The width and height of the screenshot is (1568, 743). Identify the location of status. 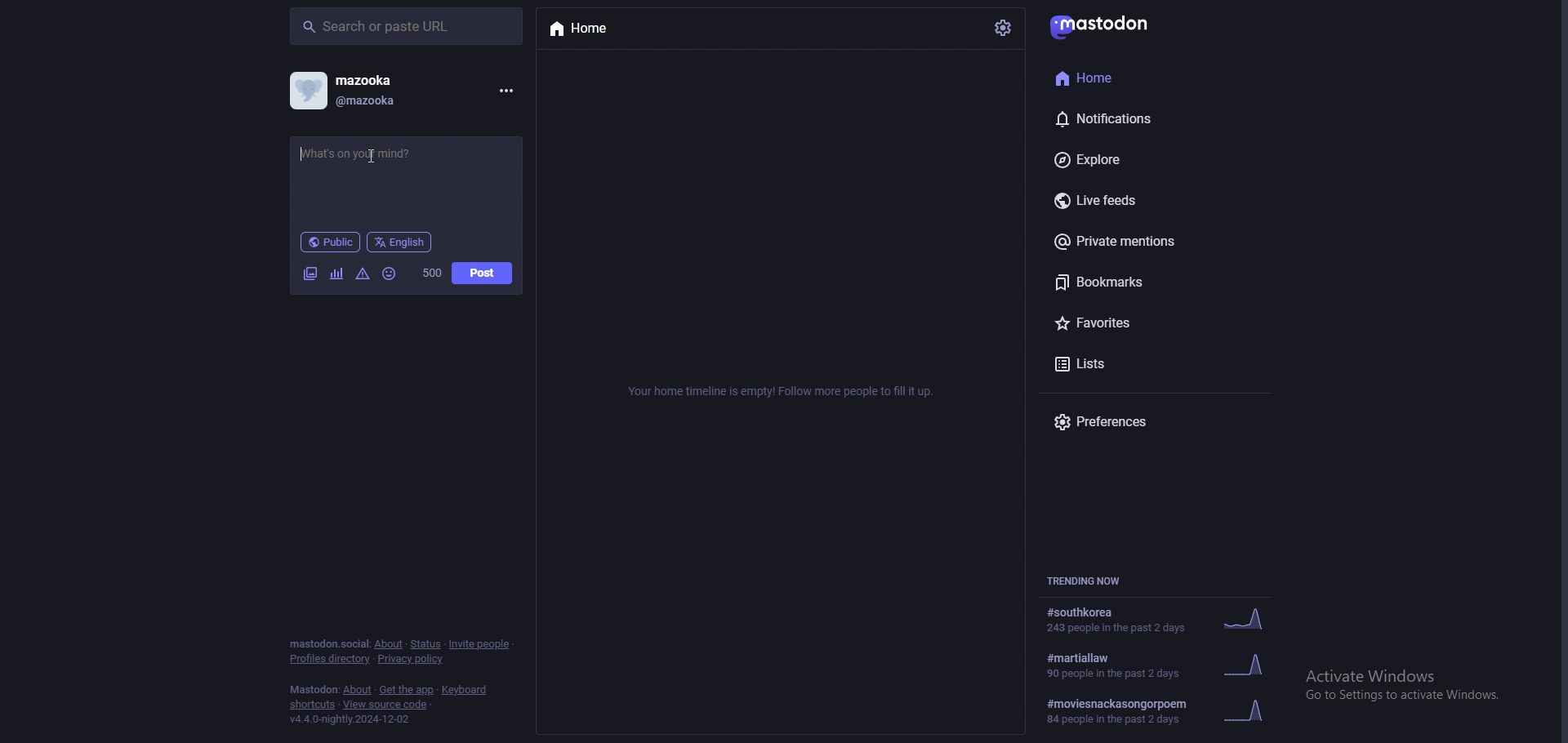
(425, 644).